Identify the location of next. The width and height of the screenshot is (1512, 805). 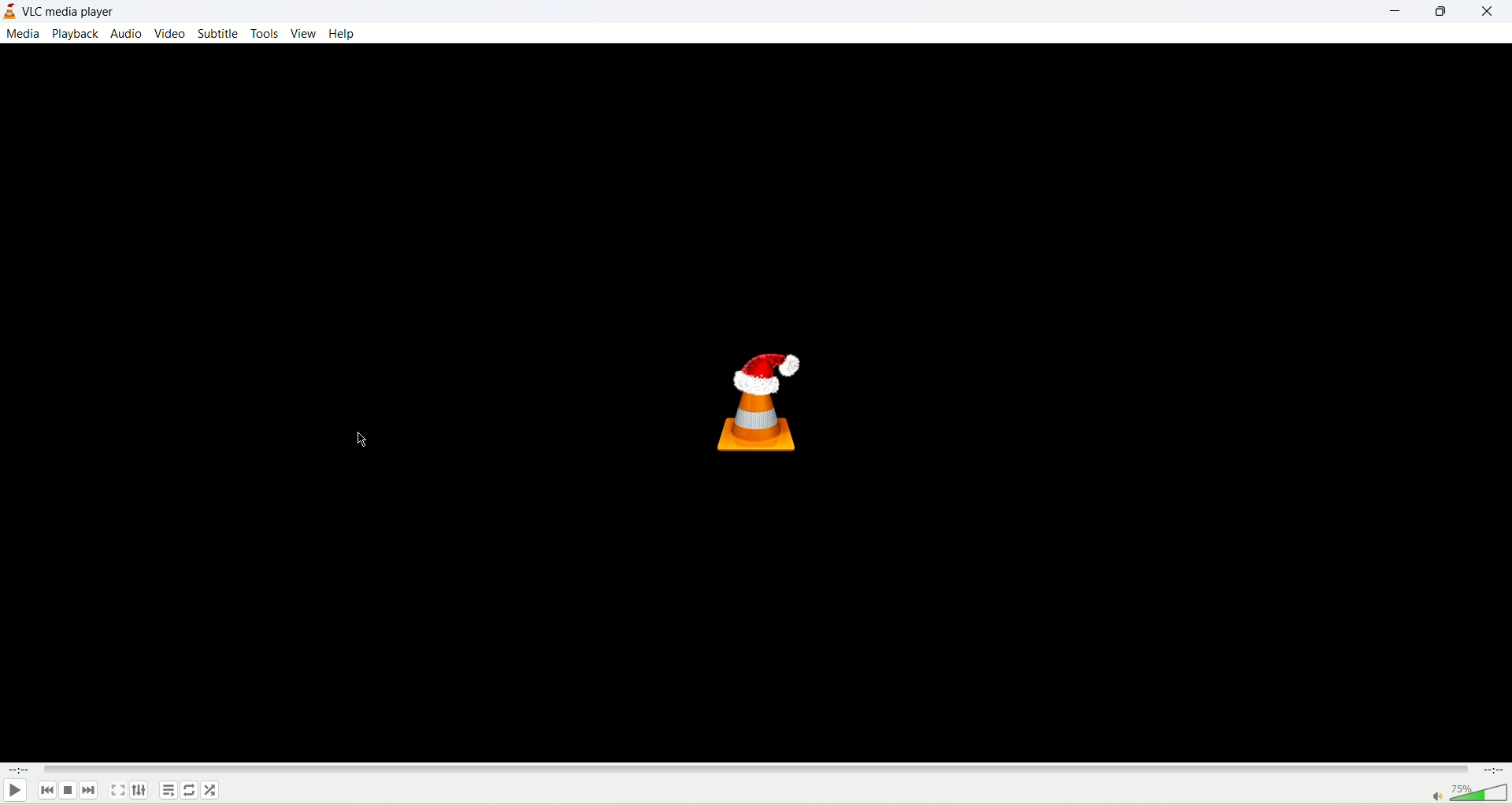
(88, 789).